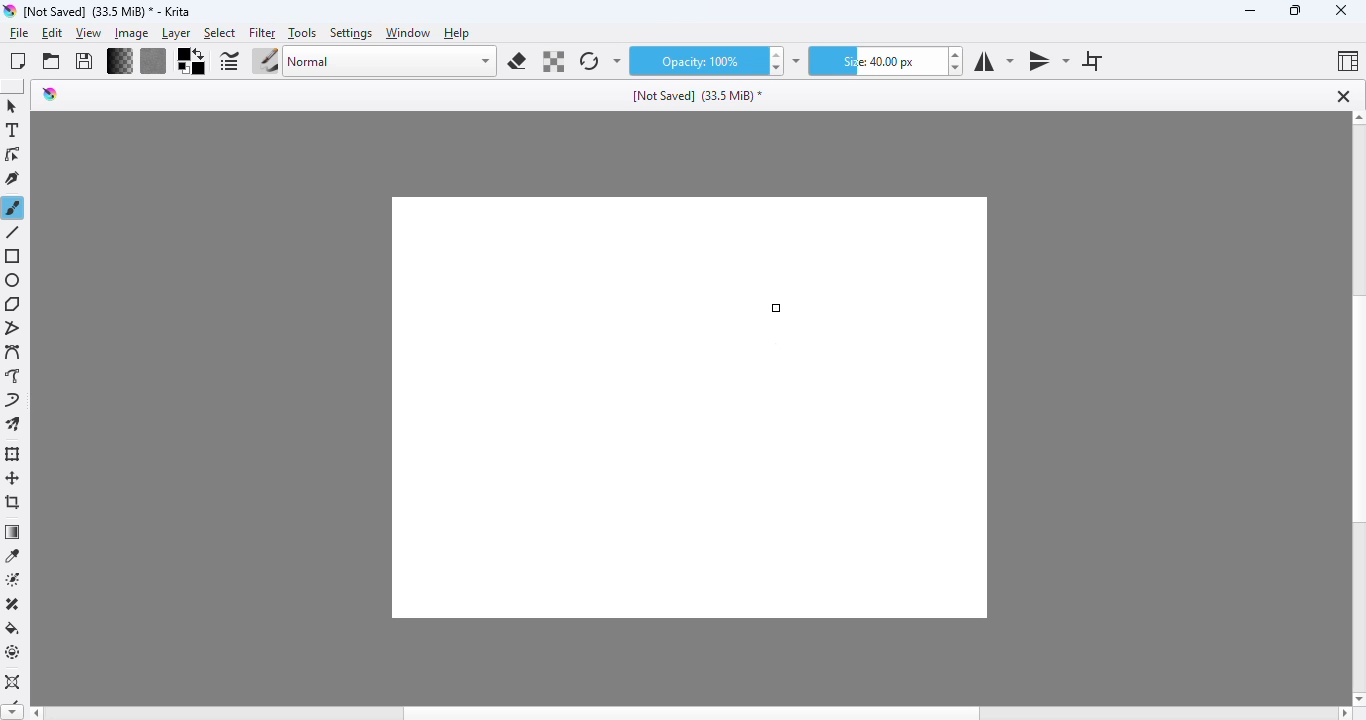 The height and width of the screenshot is (720, 1366). I want to click on background/foreground color selector, so click(193, 61).